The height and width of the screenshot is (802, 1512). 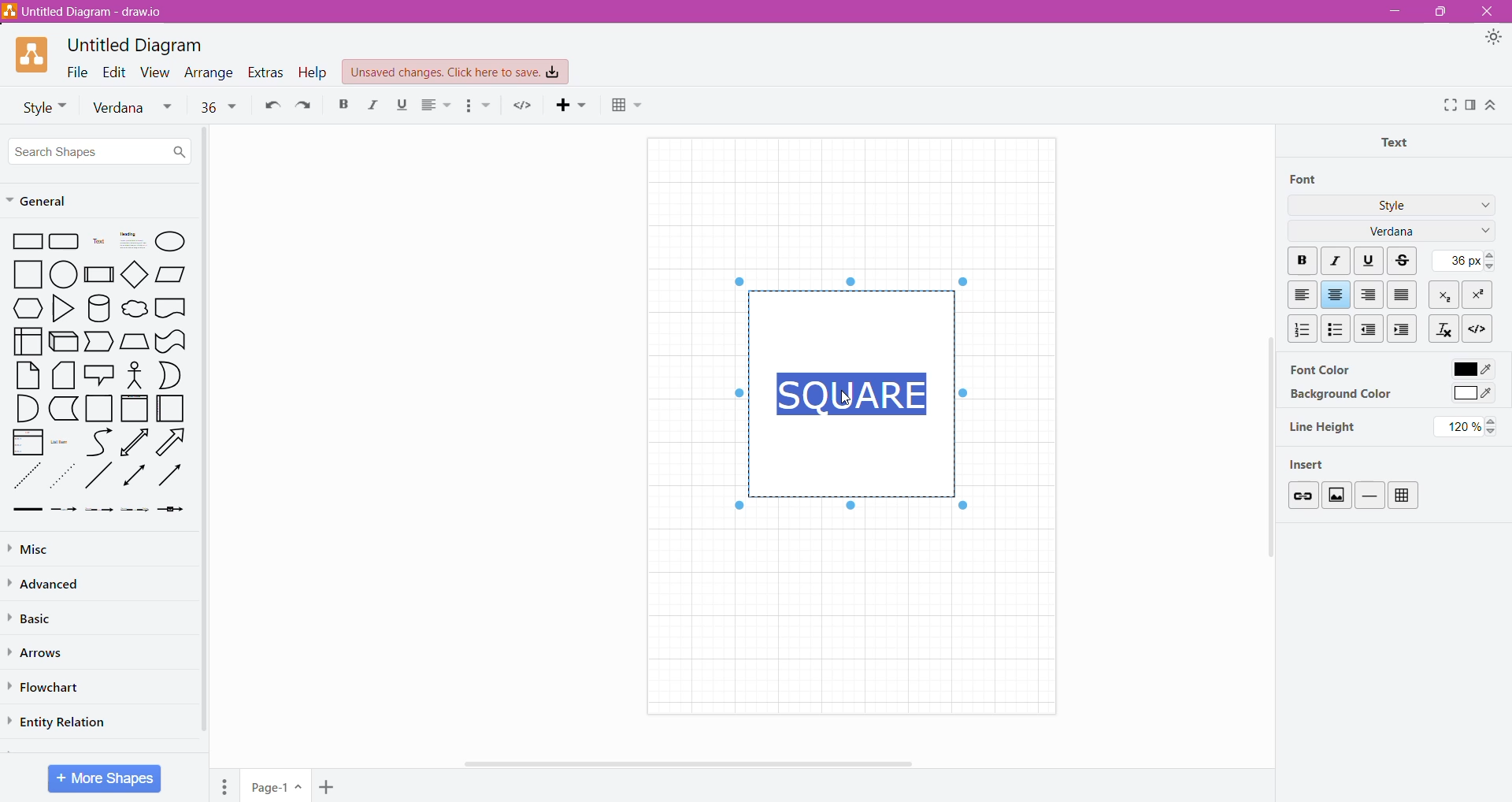 I want to click on Add Pages, so click(x=328, y=788).